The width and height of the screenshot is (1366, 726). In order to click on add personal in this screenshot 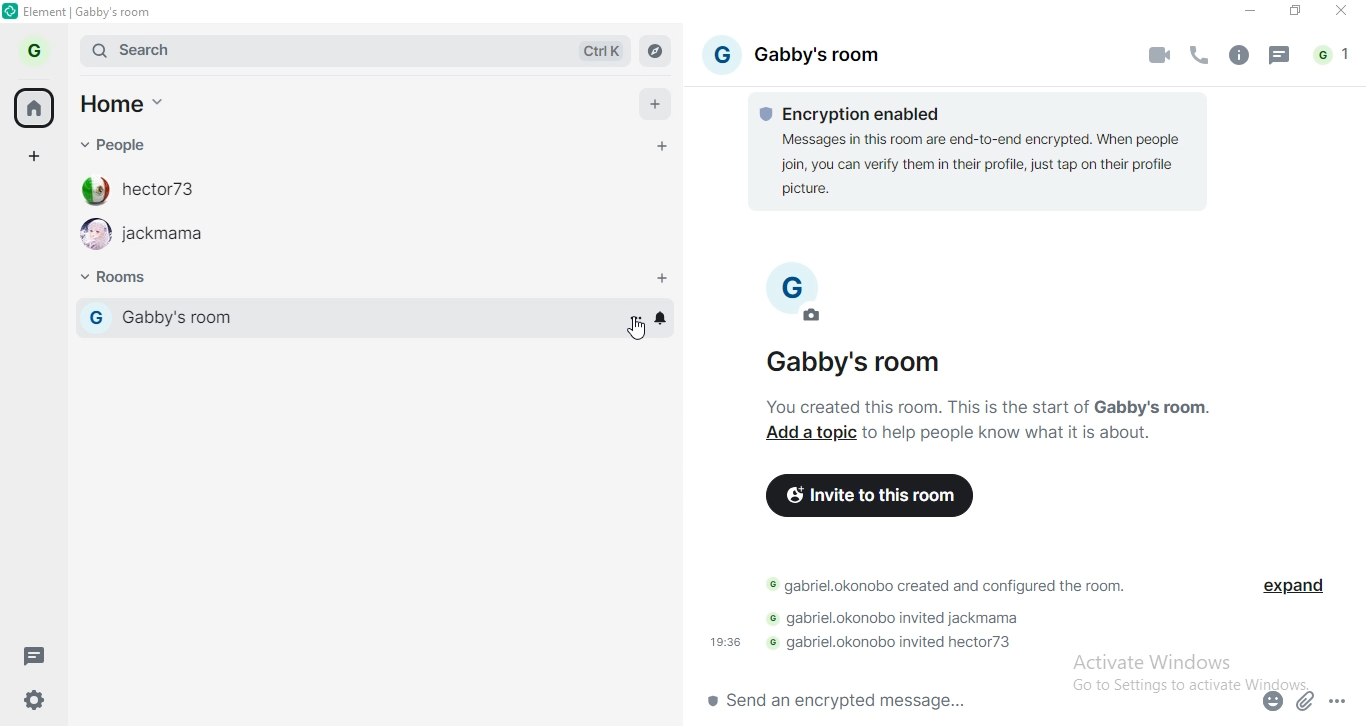, I will do `click(667, 150)`.